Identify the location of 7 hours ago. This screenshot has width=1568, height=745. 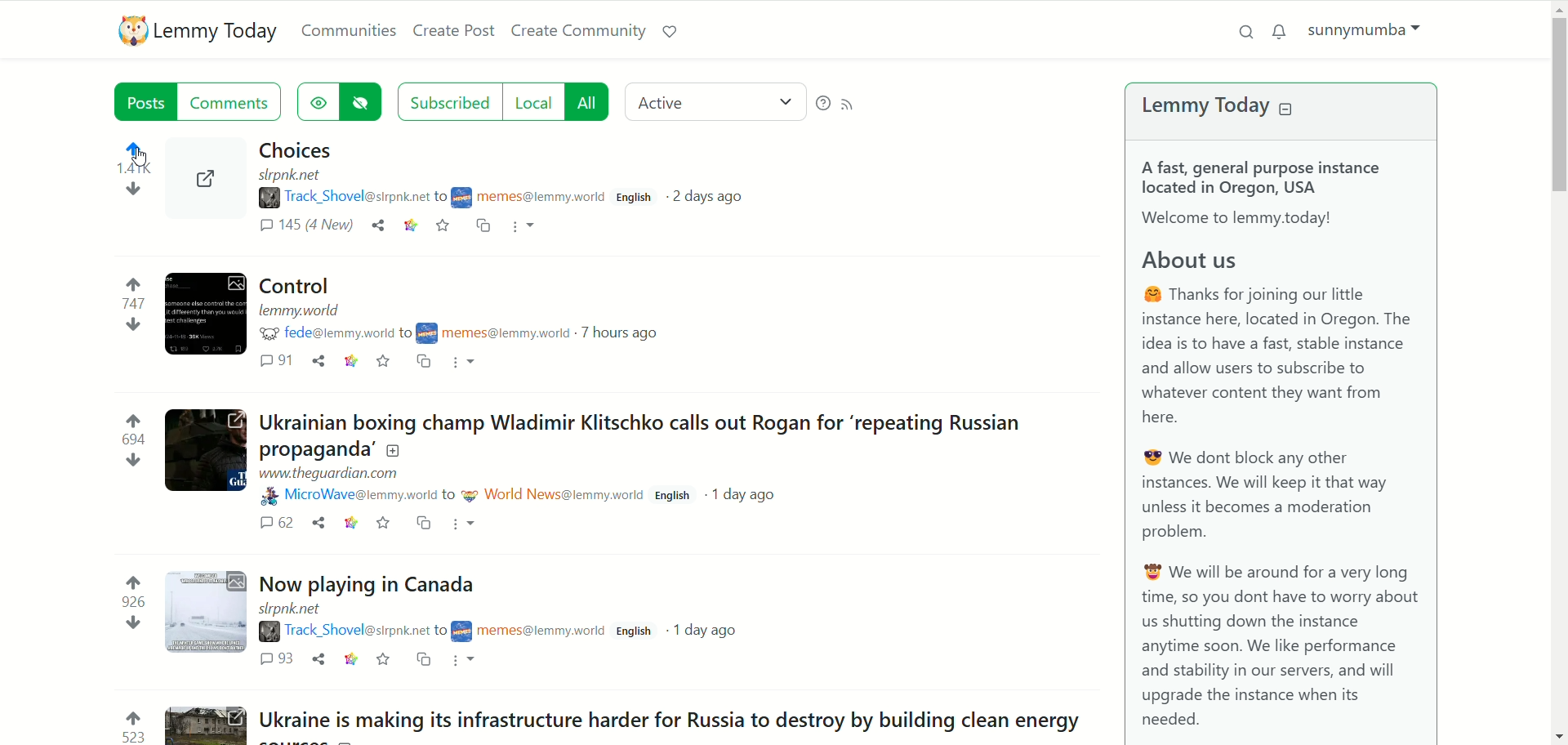
(630, 332).